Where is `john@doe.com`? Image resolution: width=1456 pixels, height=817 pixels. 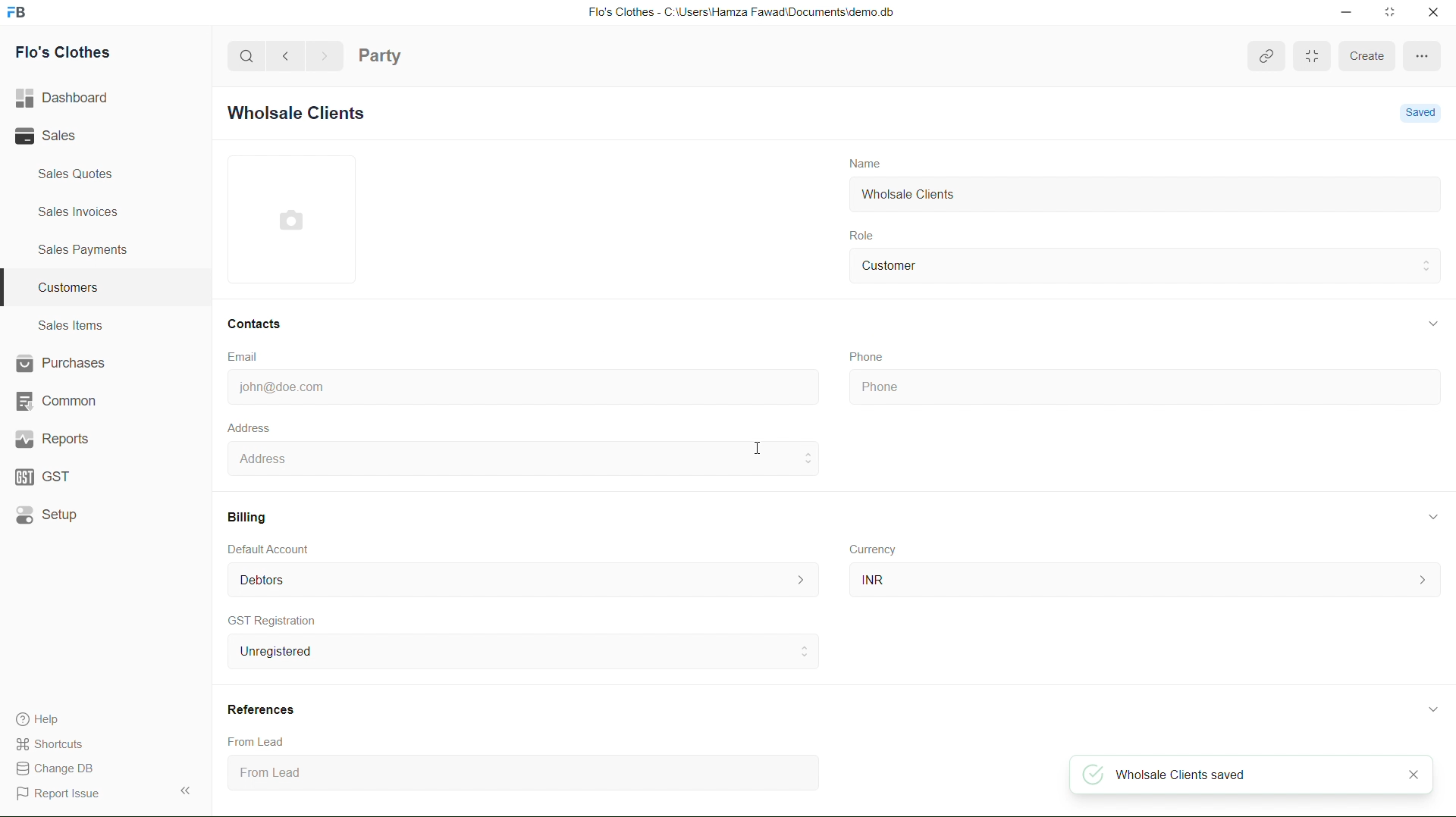 john@doe.com is located at coordinates (282, 387).